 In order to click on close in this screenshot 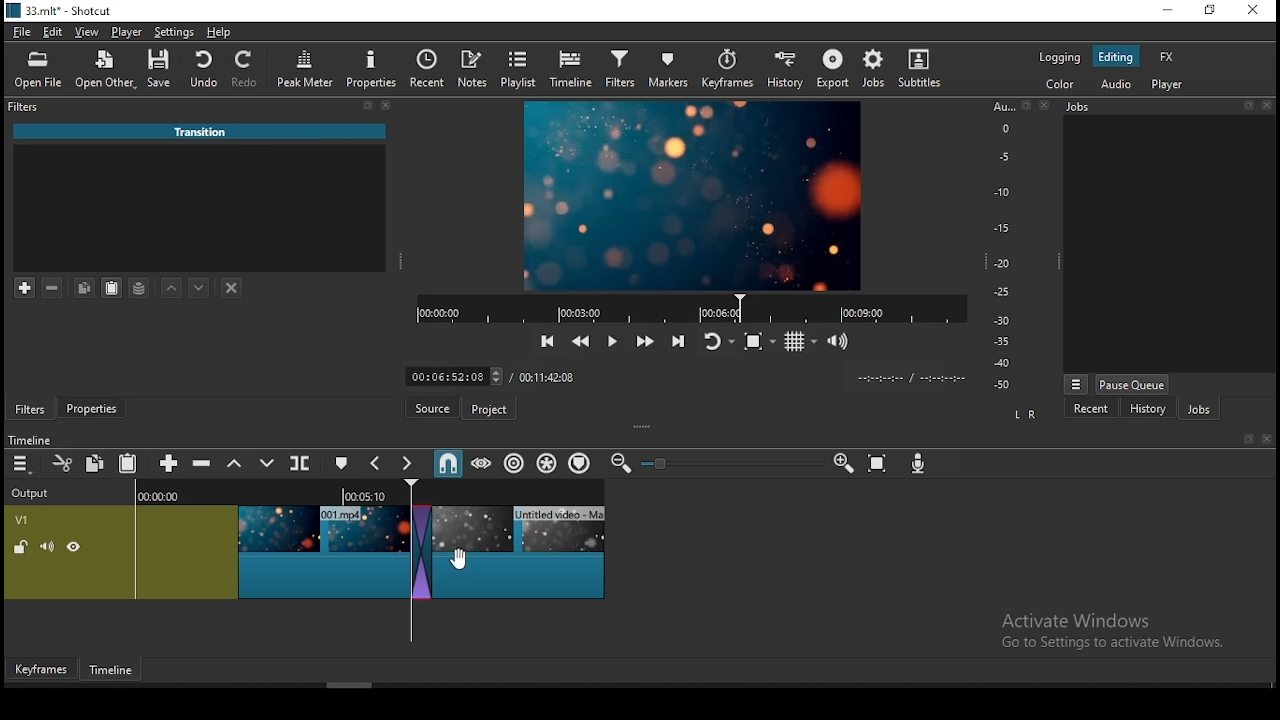, I will do `click(1269, 440)`.